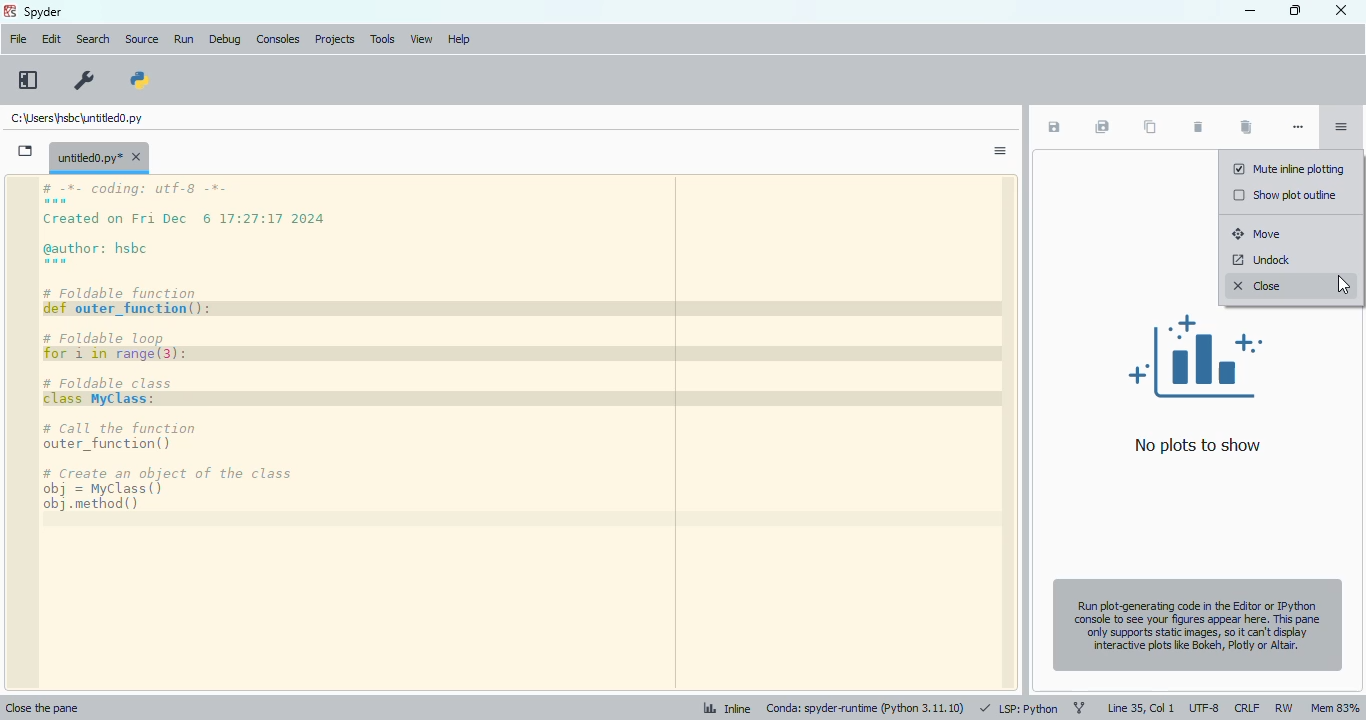 The image size is (1366, 720). Describe the element at coordinates (725, 706) in the screenshot. I see `inline` at that location.